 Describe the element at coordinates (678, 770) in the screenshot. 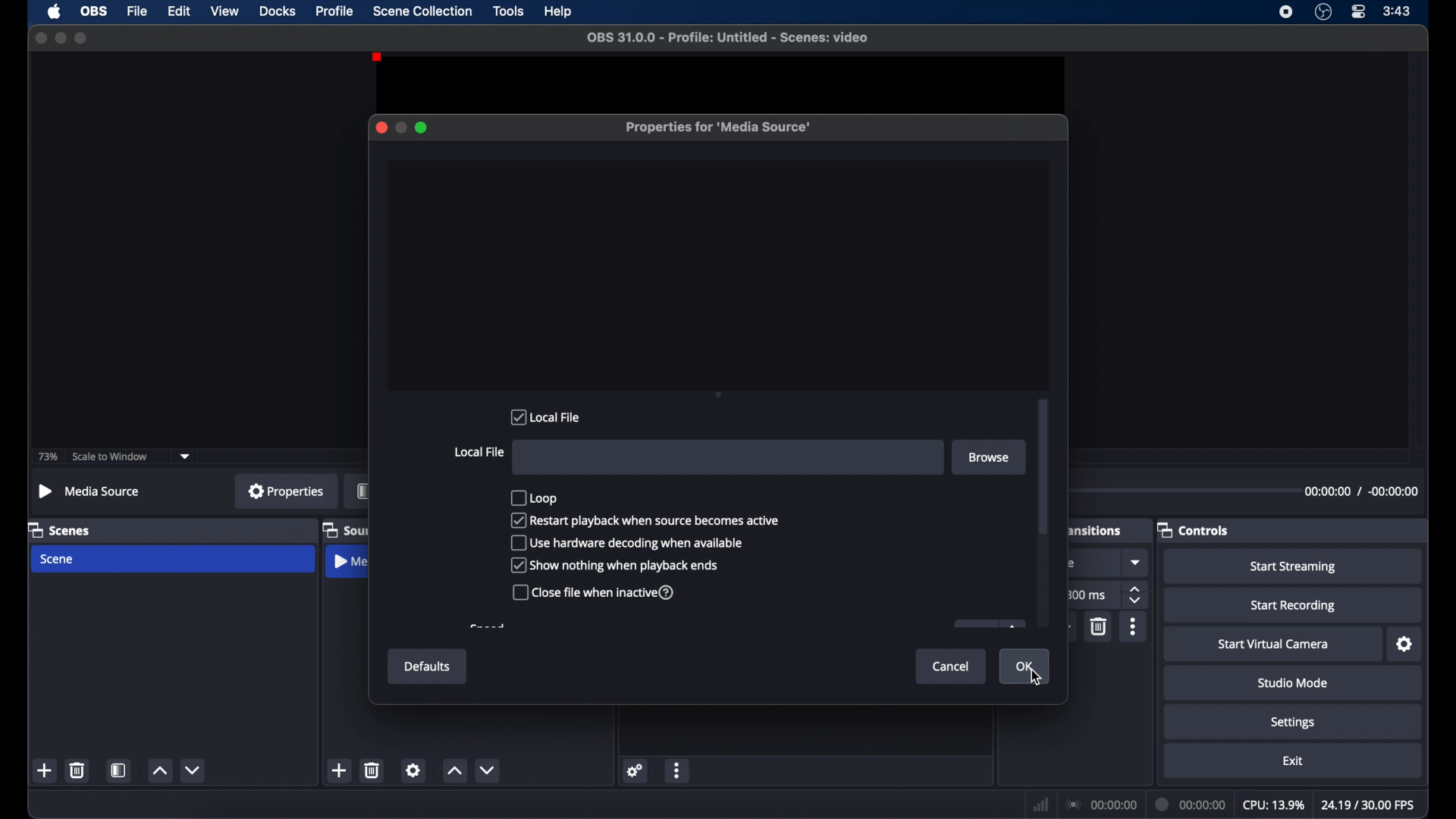

I see `more options` at that location.